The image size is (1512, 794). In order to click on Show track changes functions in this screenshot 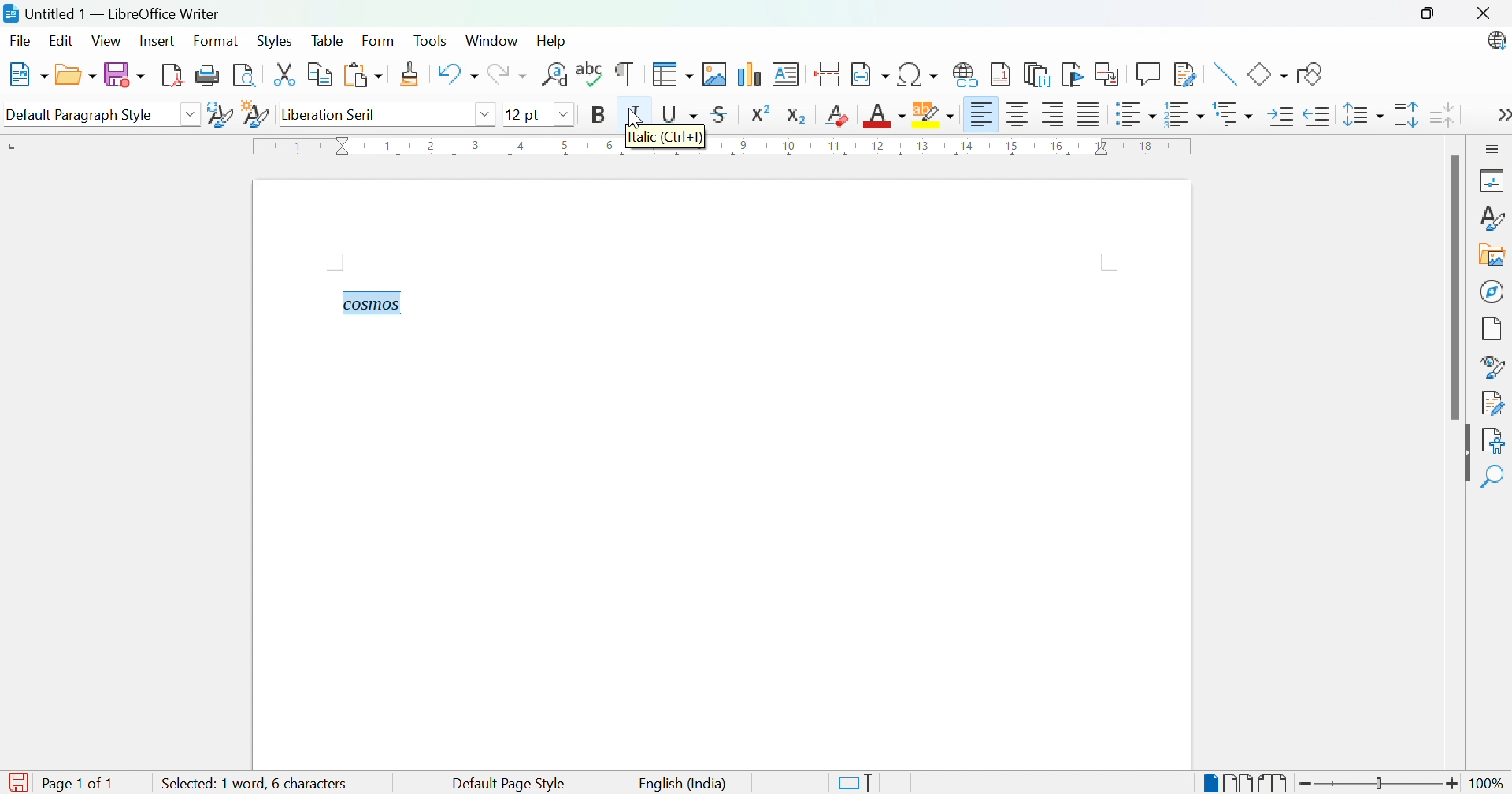, I will do `click(1182, 72)`.